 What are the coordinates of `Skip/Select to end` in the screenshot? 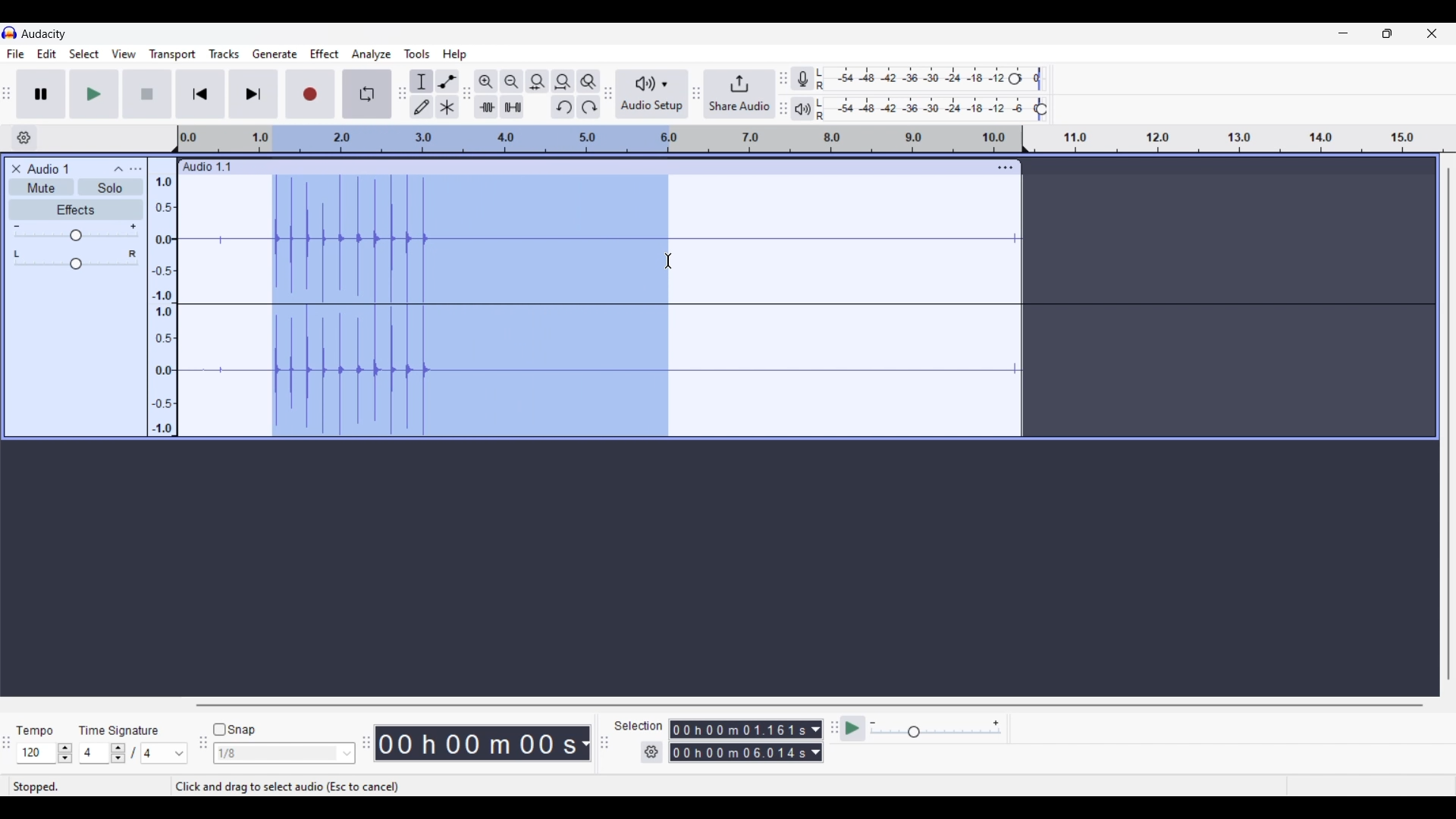 It's located at (253, 93).